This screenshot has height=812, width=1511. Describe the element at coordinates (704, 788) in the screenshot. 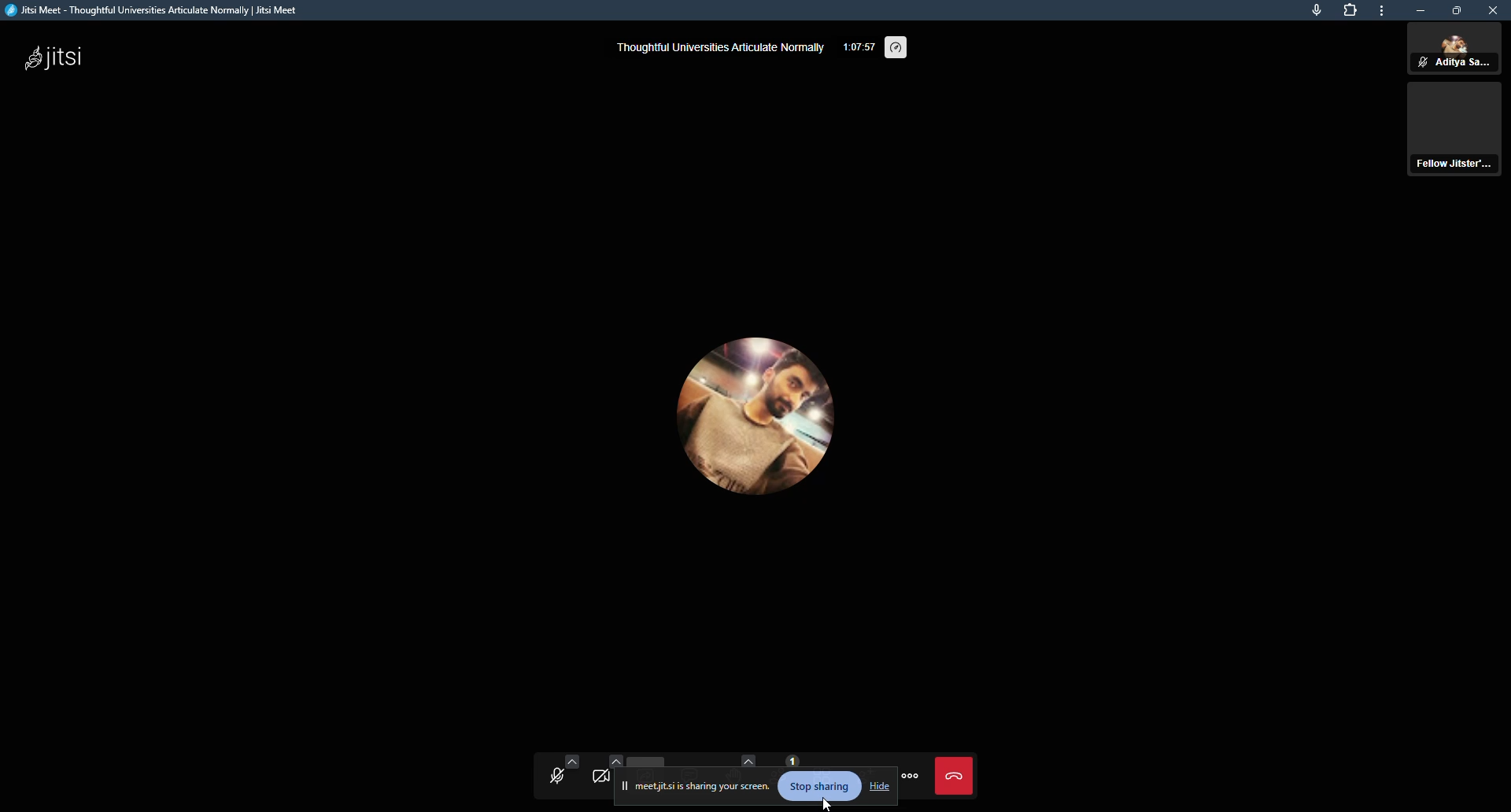

I see `meetjitsi is sharing your screen.` at that location.